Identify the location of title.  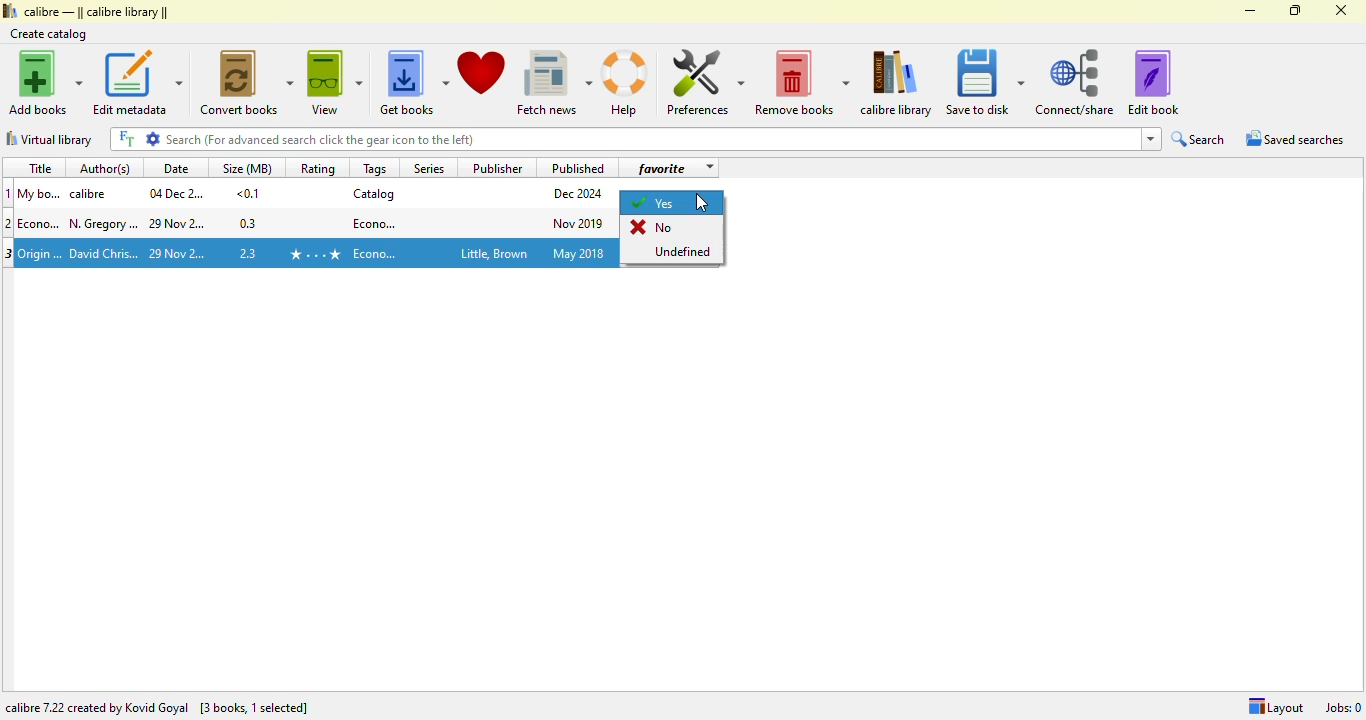
(41, 252).